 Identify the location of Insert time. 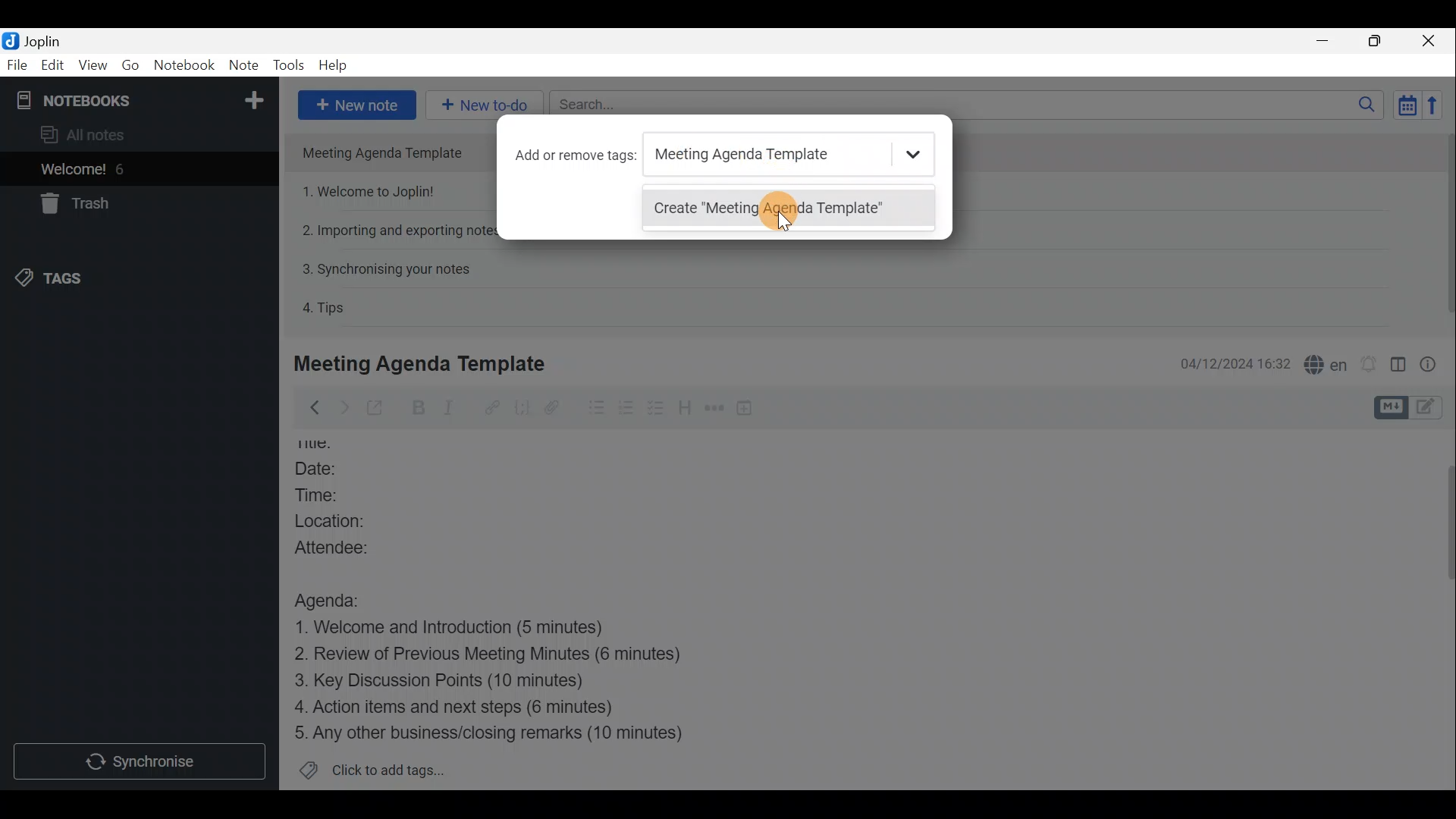
(748, 410).